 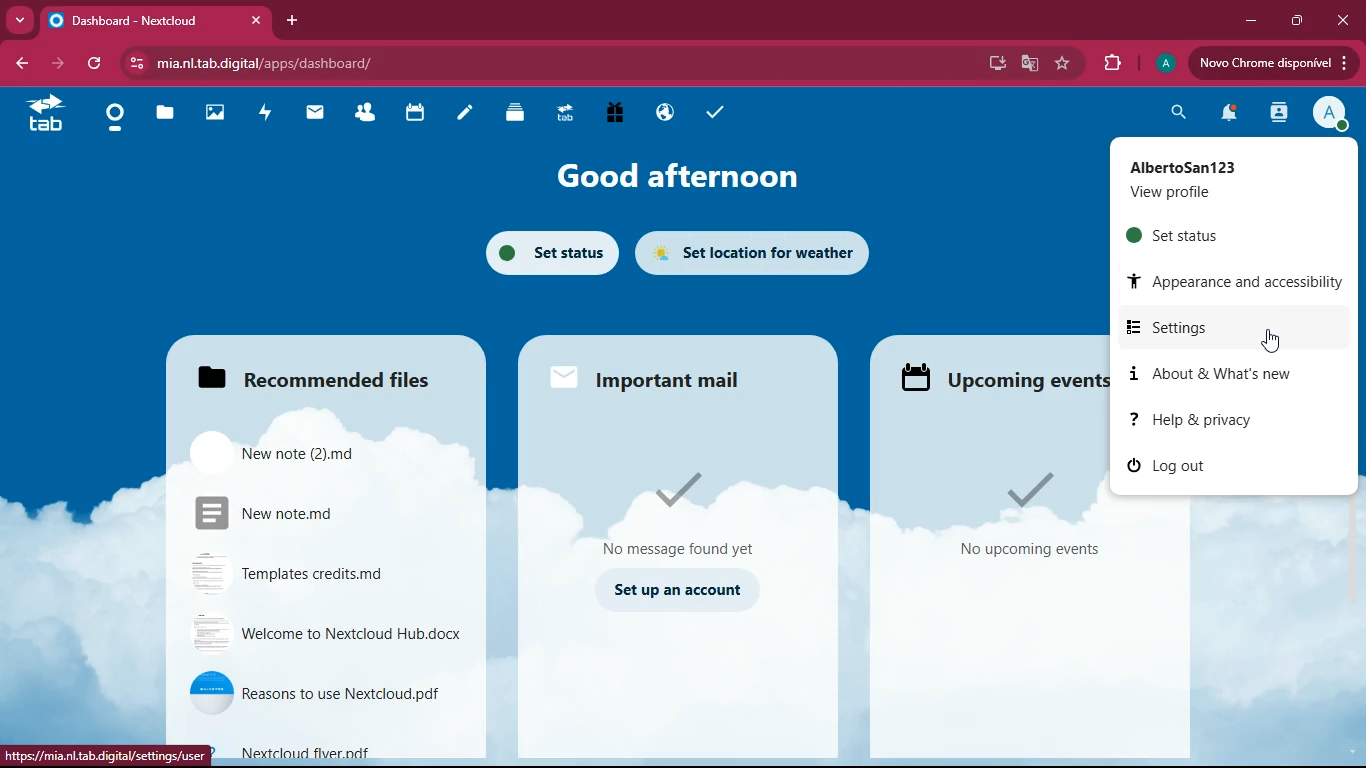 I want to click on set status, so click(x=550, y=253).